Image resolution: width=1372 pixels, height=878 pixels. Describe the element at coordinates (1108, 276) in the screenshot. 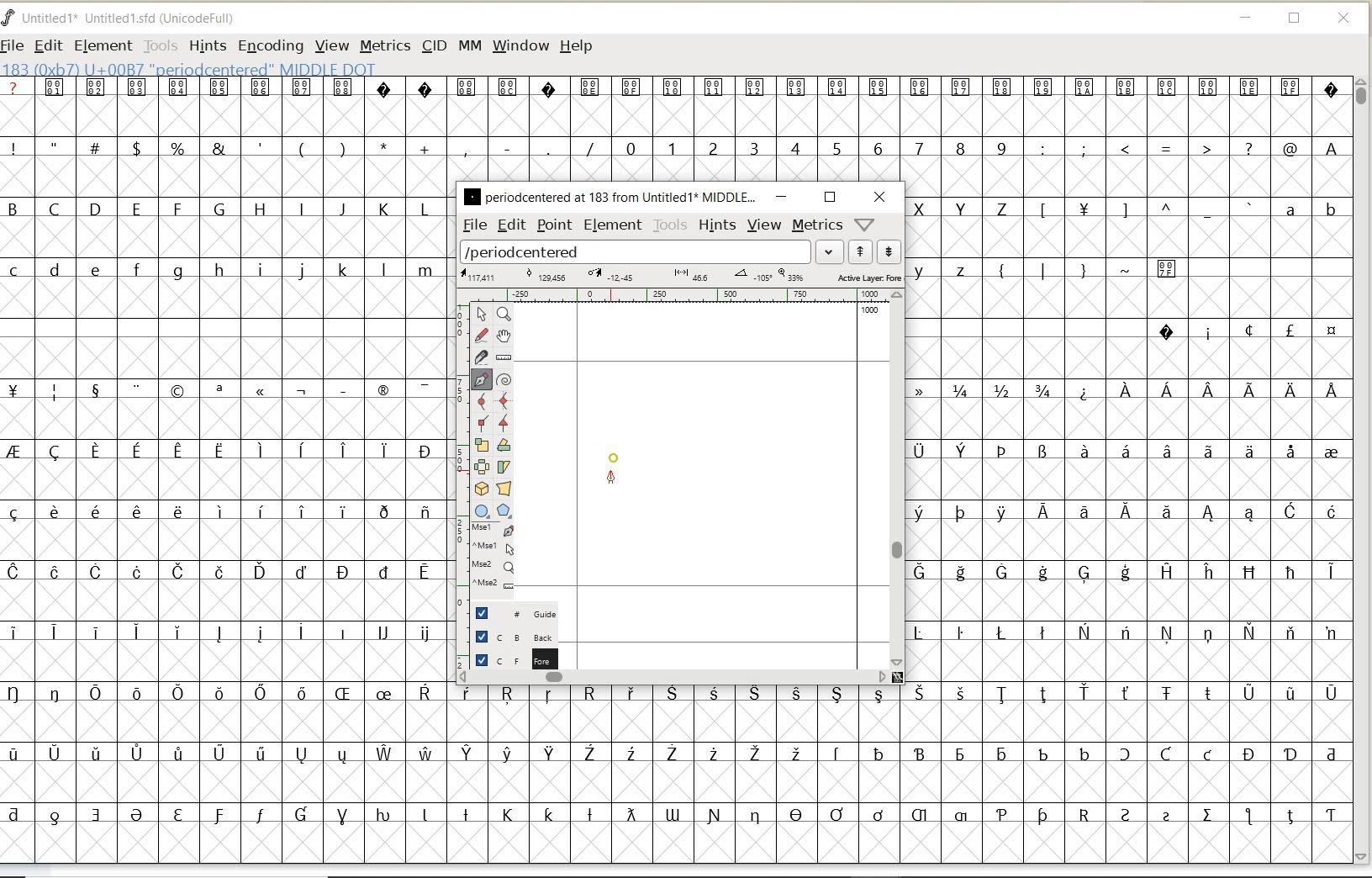

I see `special characters` at that location.